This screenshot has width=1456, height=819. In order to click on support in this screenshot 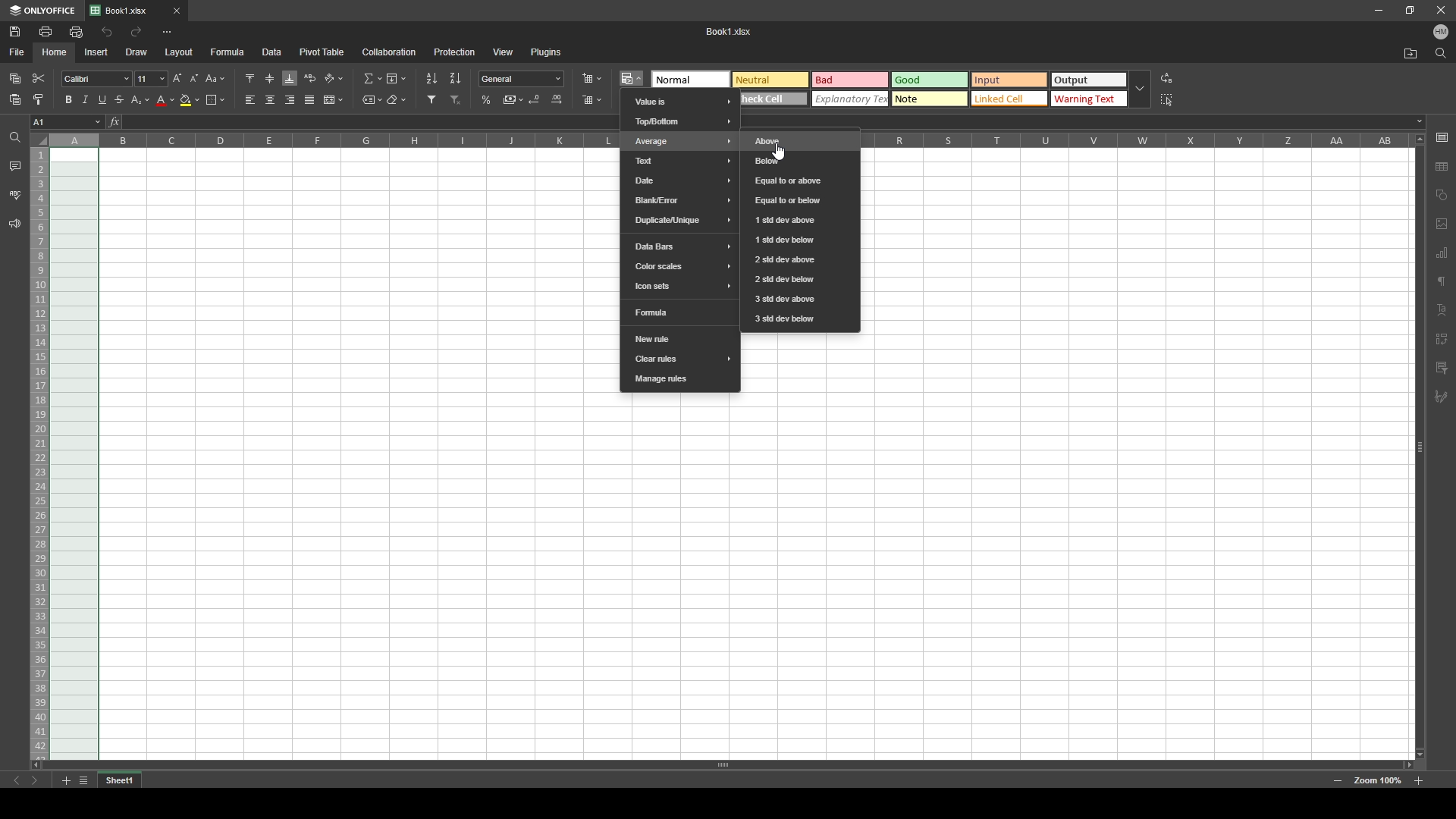, I will do `click(14, 224)`.